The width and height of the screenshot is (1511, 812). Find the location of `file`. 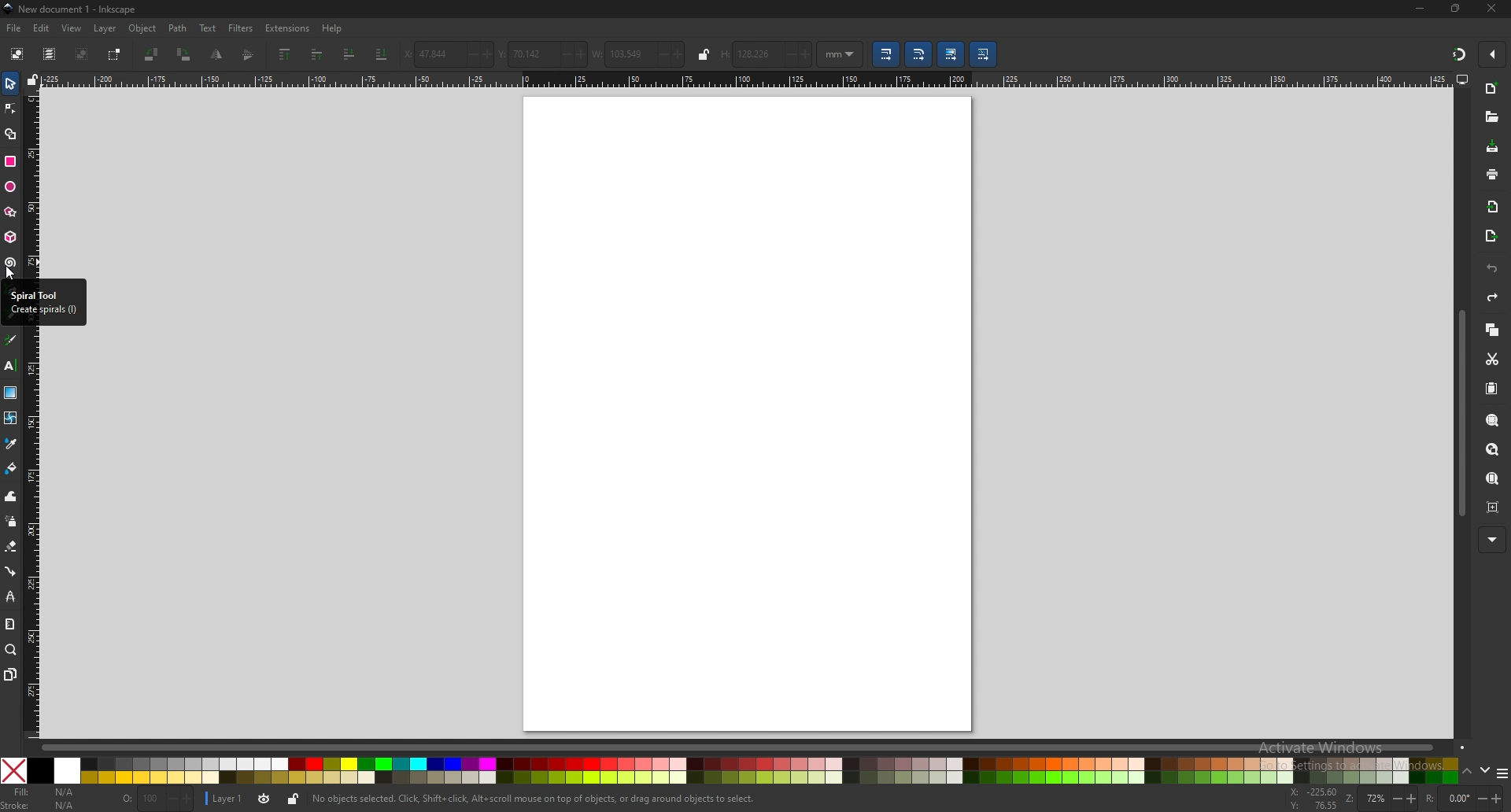

file is located at coordinates (14, 29).